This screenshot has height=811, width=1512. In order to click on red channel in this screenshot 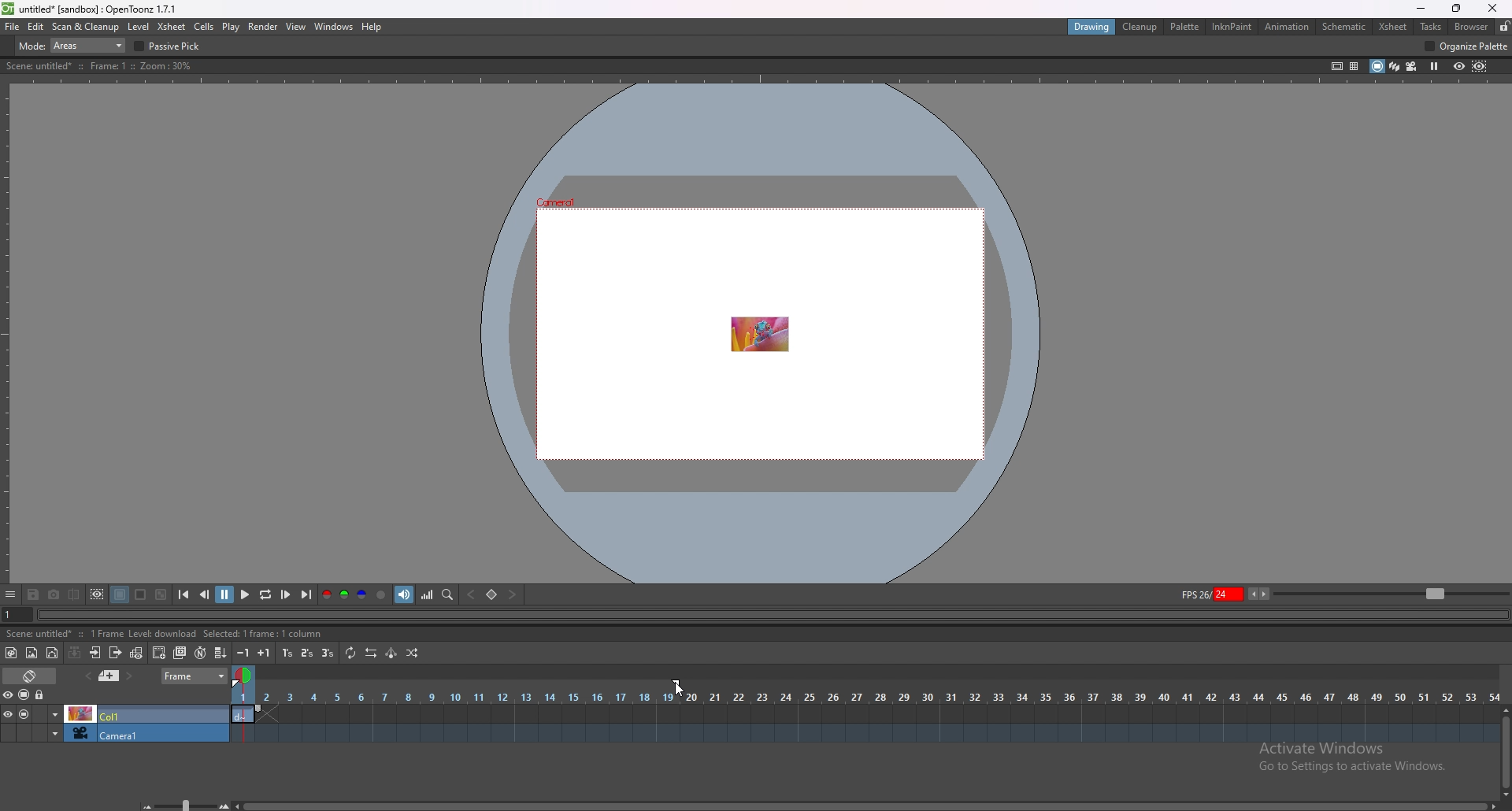, I will do `click(326, 594)`.